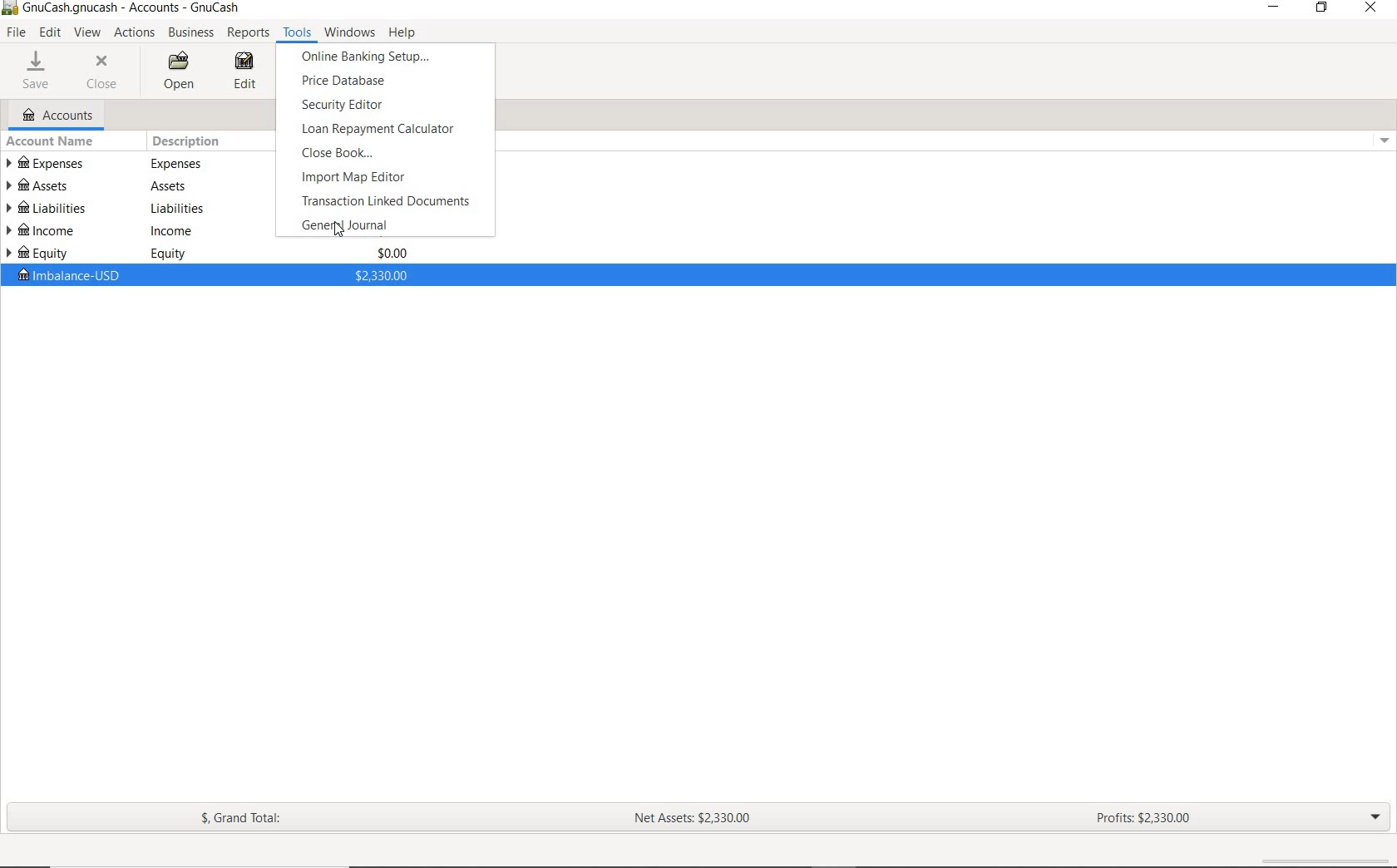 The height and width of the screenshot is (868, 1397). I want to click on EDIT, so click(249, 72).